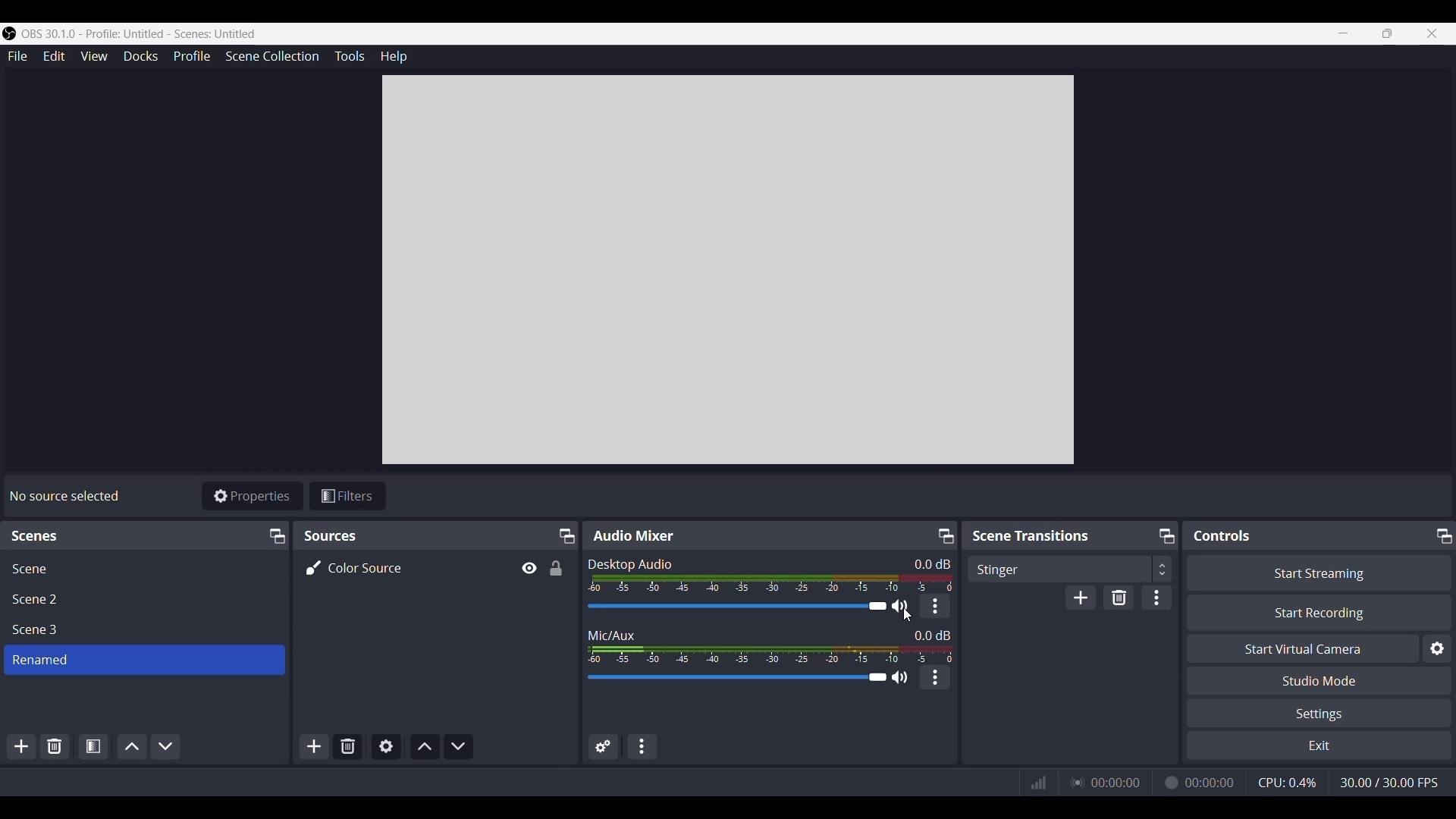 The image size is (1456, 819). Describe the element at coordinates (770, 654) in the screenshot. I see `Mic/Aux volume` at that location.